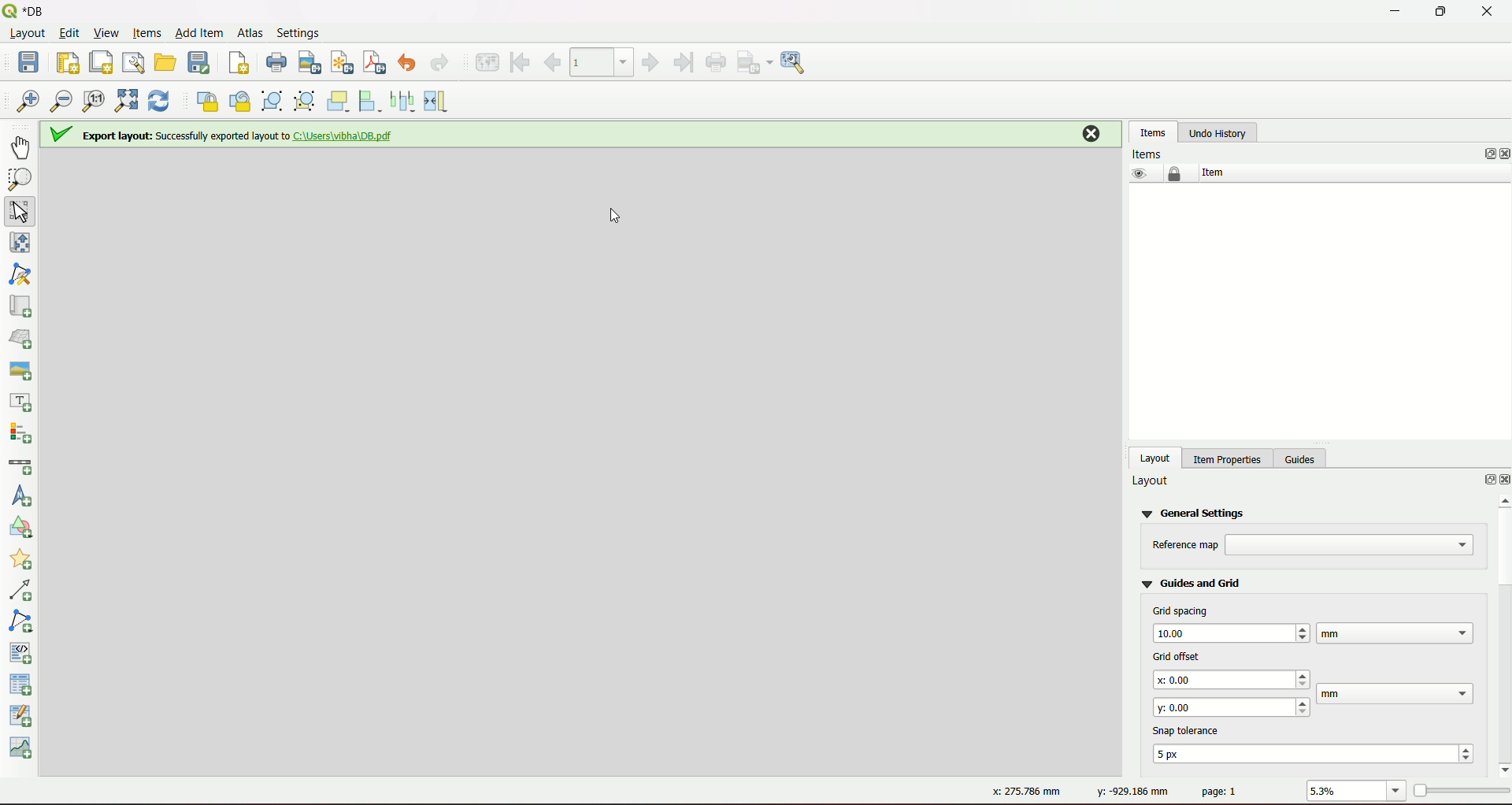 This screenshot has height=805, width=1512. I want to click on zoom, so click(20, 180).